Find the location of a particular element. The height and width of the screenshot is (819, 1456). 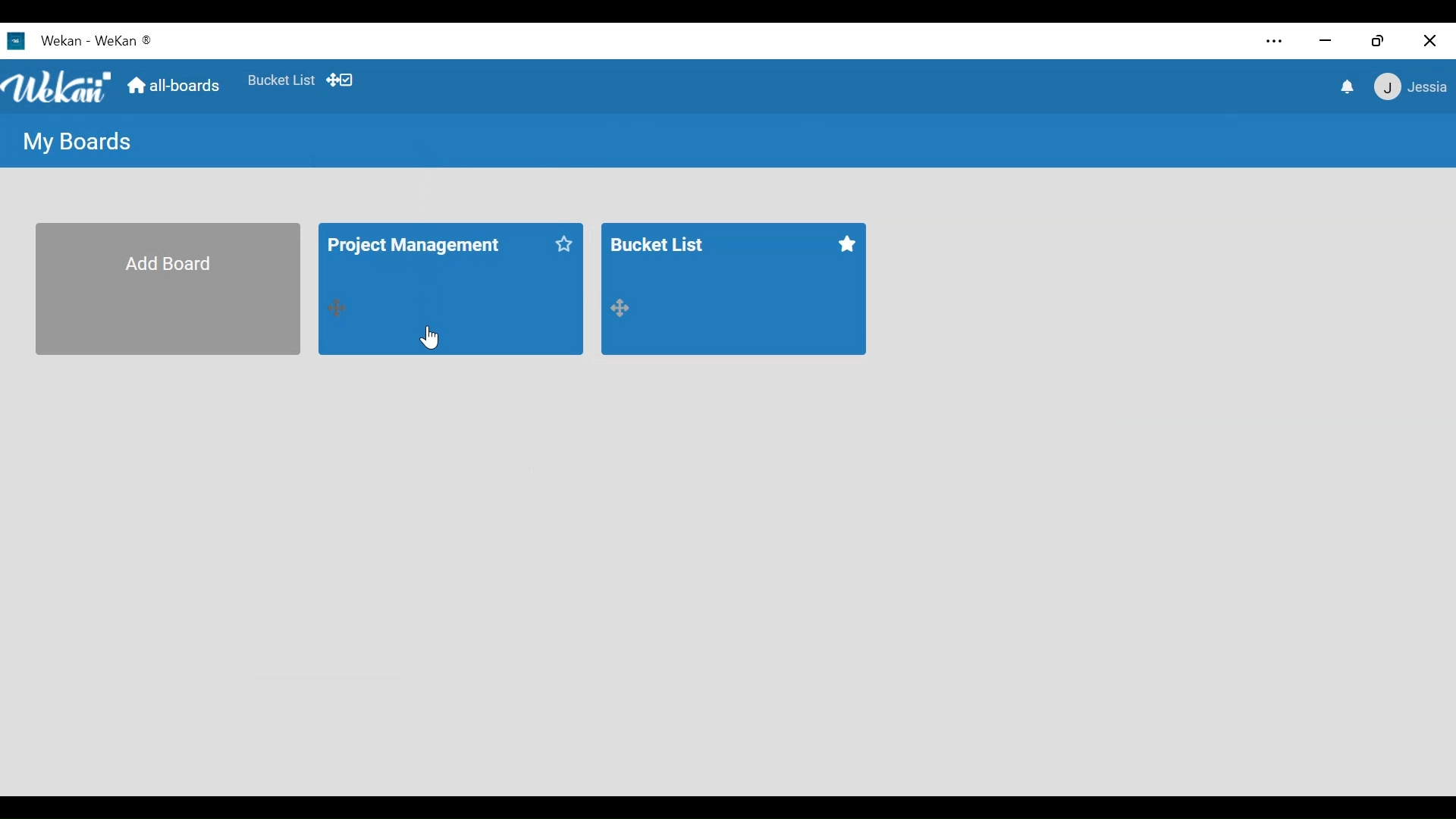

Favorites is located at coordinates (565, 243).